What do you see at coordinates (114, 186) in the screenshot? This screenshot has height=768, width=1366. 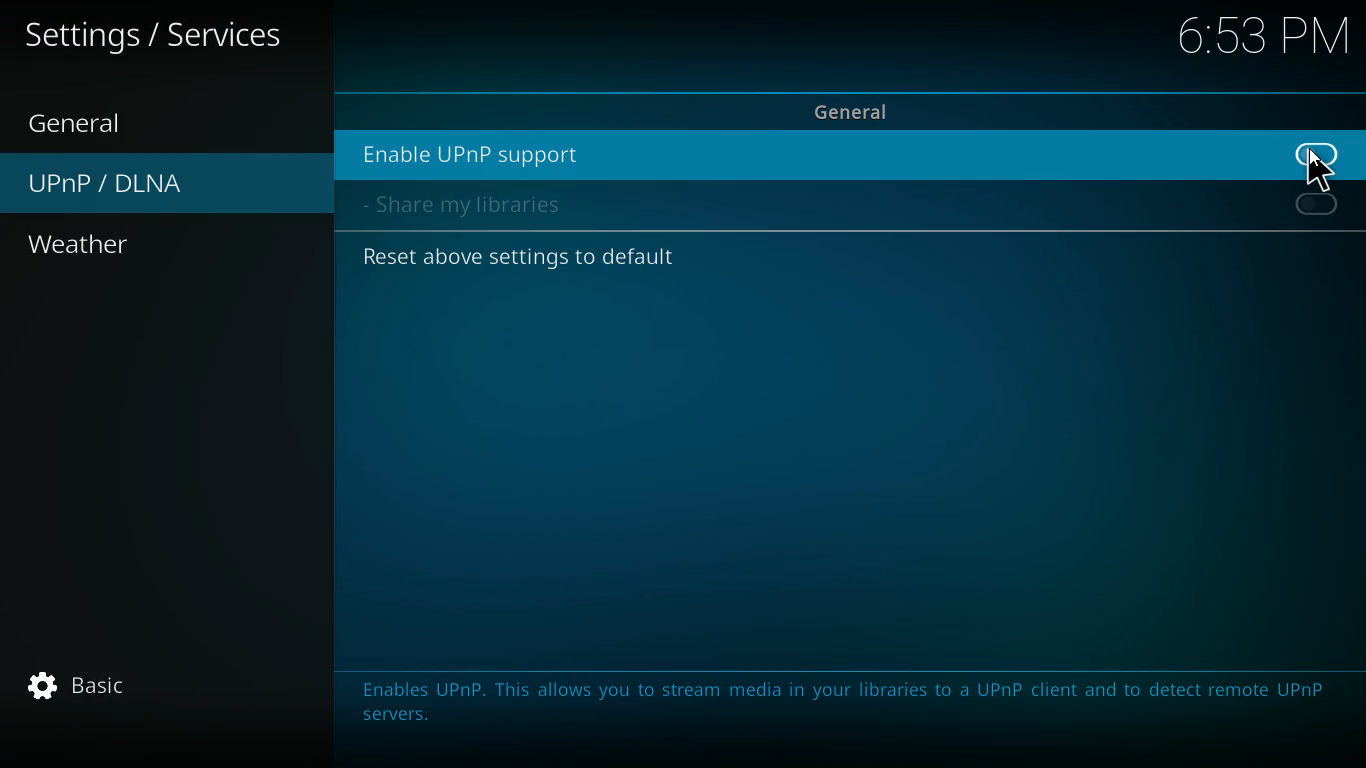 I see `upnp / dlna` at bounding box center [114, 186].